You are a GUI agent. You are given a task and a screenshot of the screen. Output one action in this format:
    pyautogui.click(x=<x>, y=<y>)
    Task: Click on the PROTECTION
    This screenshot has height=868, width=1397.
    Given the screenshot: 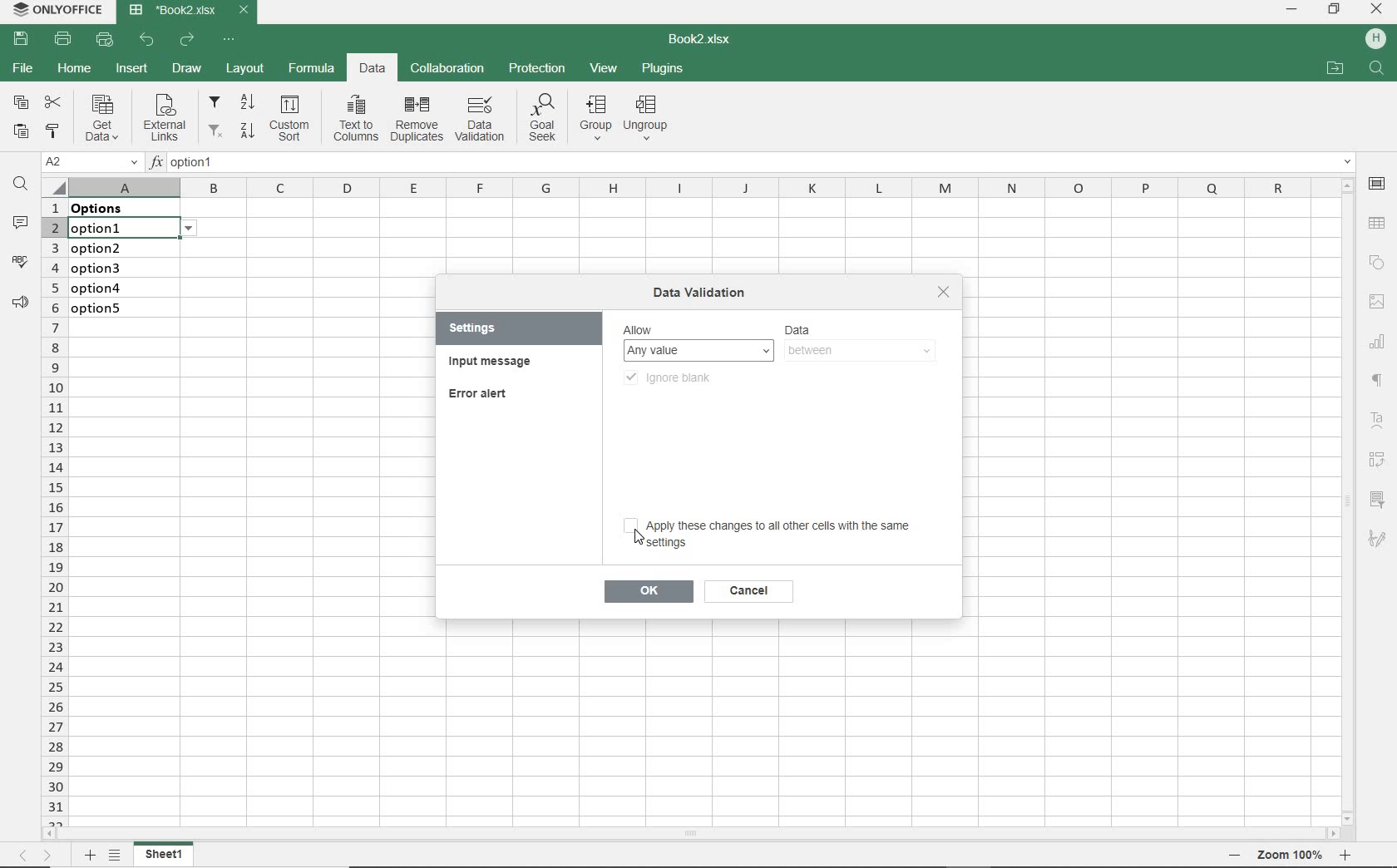 What is the action you would take?
    pyautogui.click(x=537, y=69)
    